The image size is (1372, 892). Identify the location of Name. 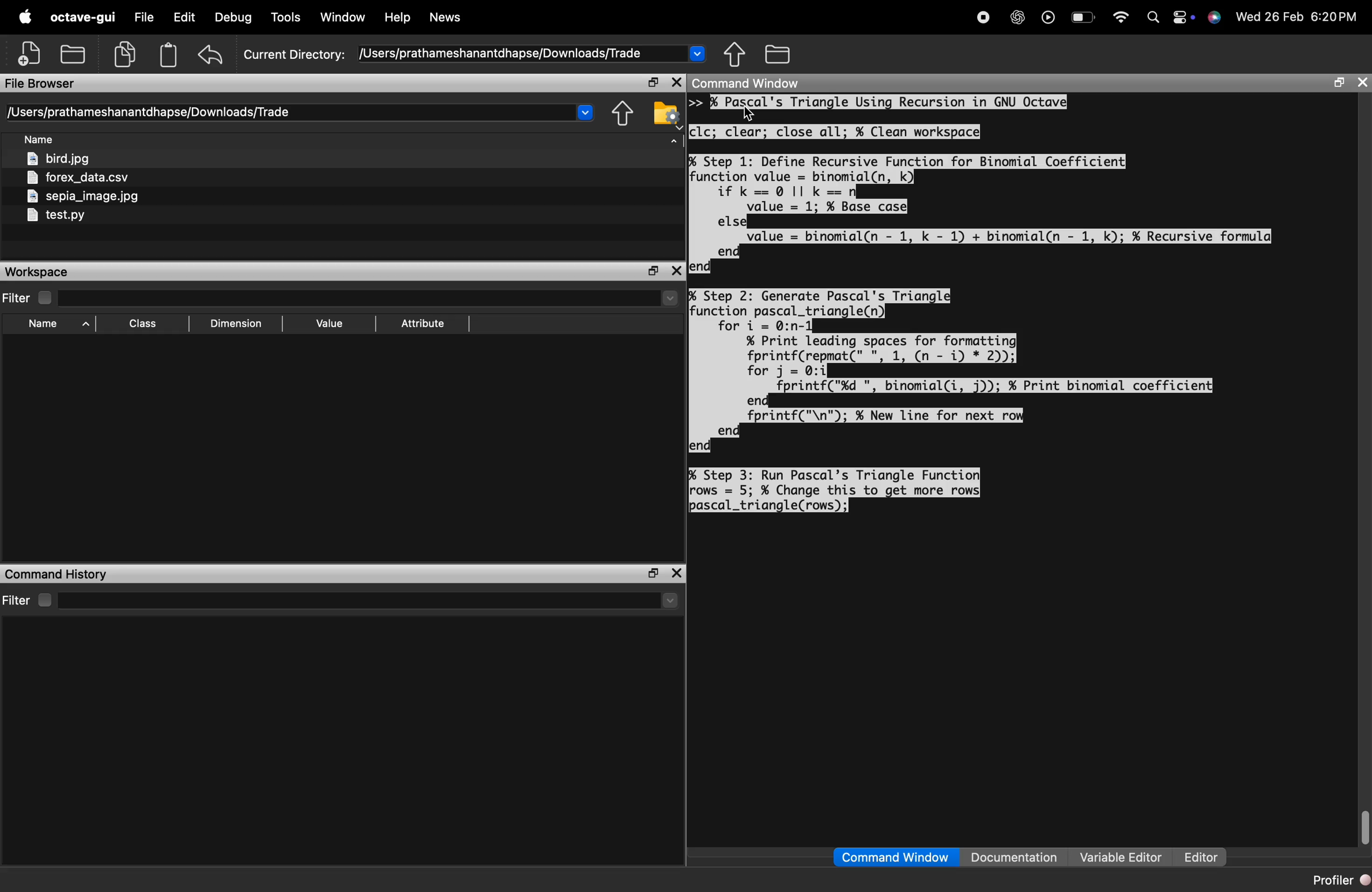
(60, 325).